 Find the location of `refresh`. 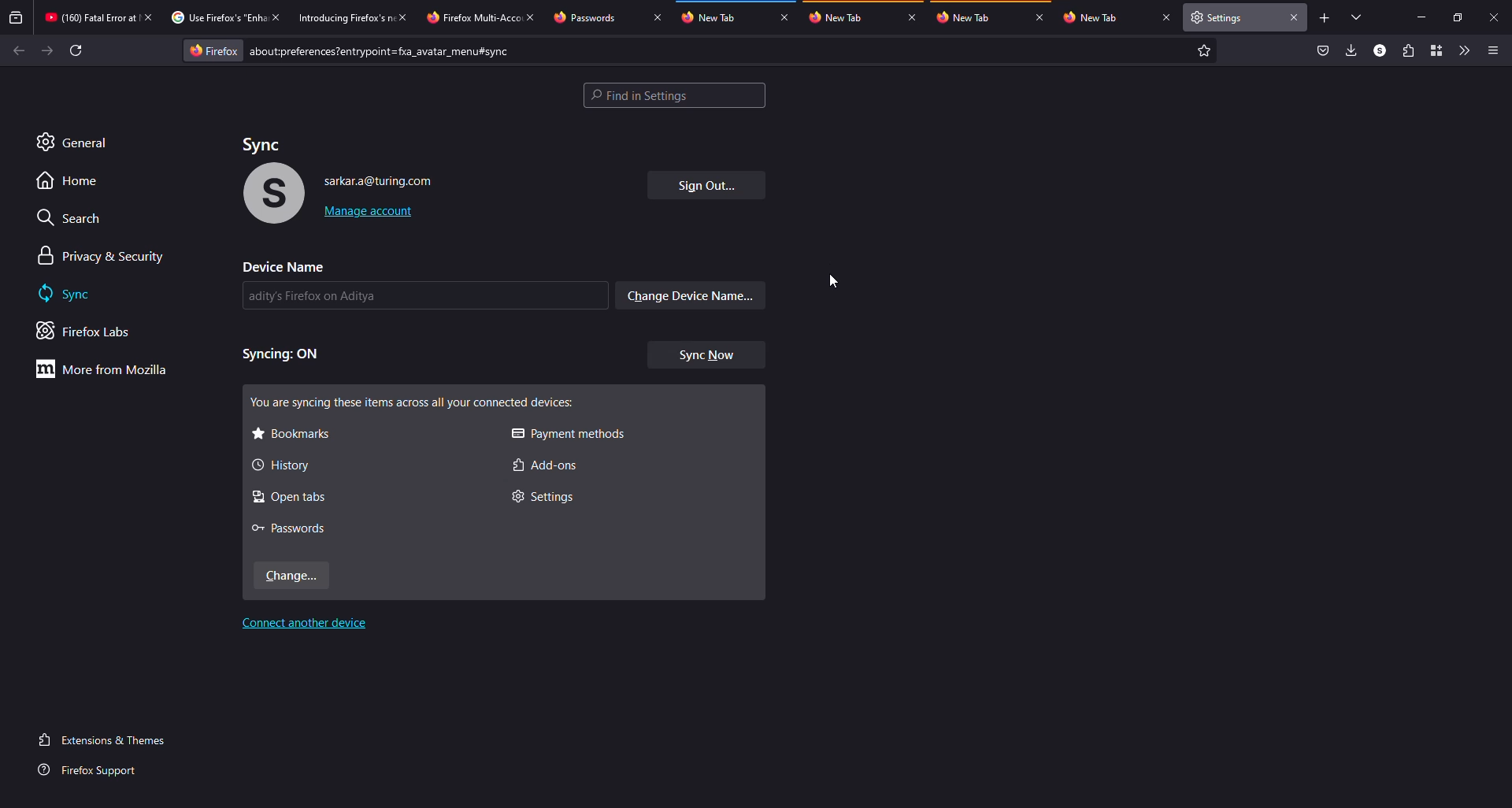

refresh is located at coordinates (78, 50).